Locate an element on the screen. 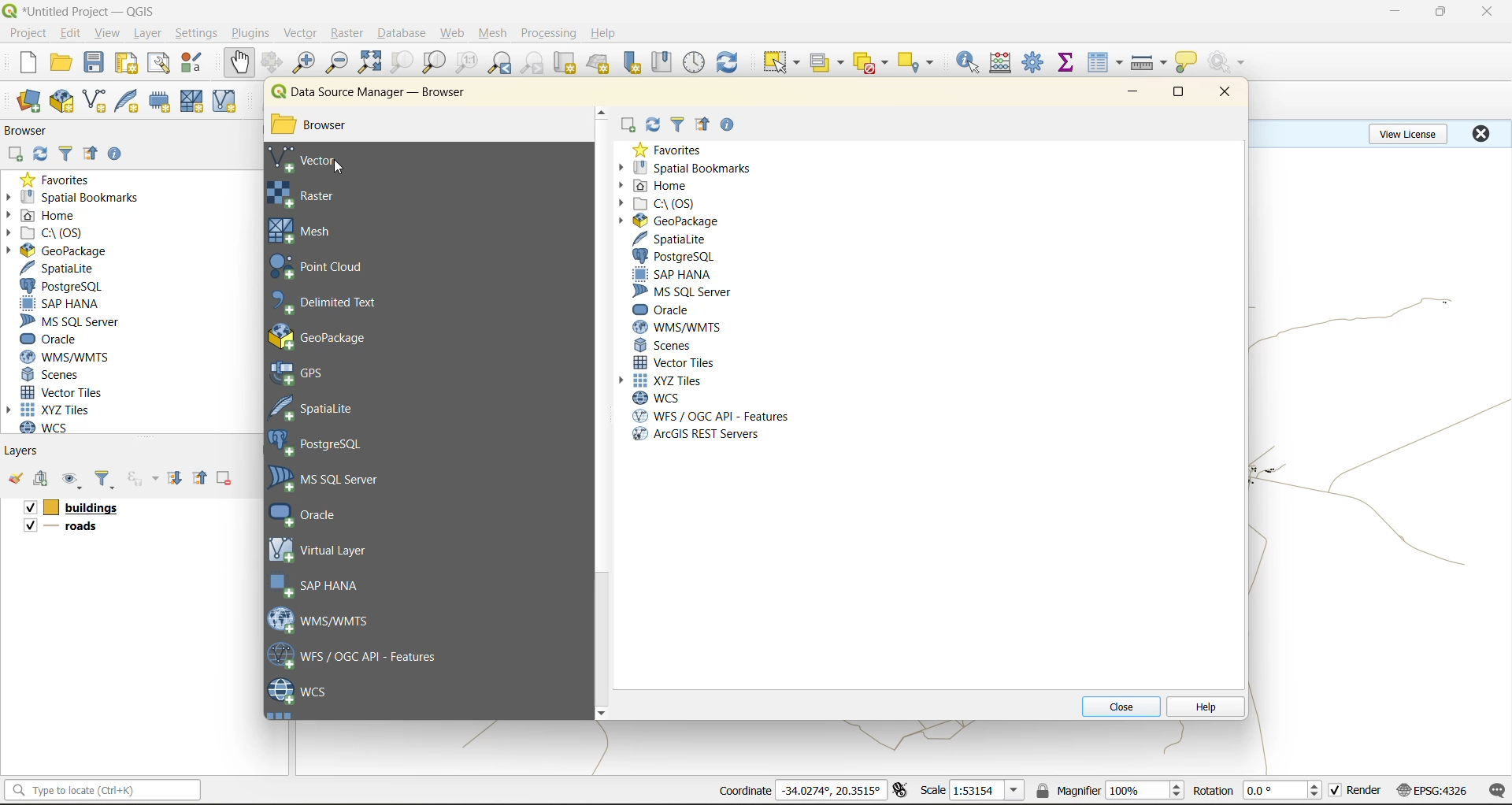 The width and height of the screenshot is (1512, 805). favorites is located at coordinates (669, 150).